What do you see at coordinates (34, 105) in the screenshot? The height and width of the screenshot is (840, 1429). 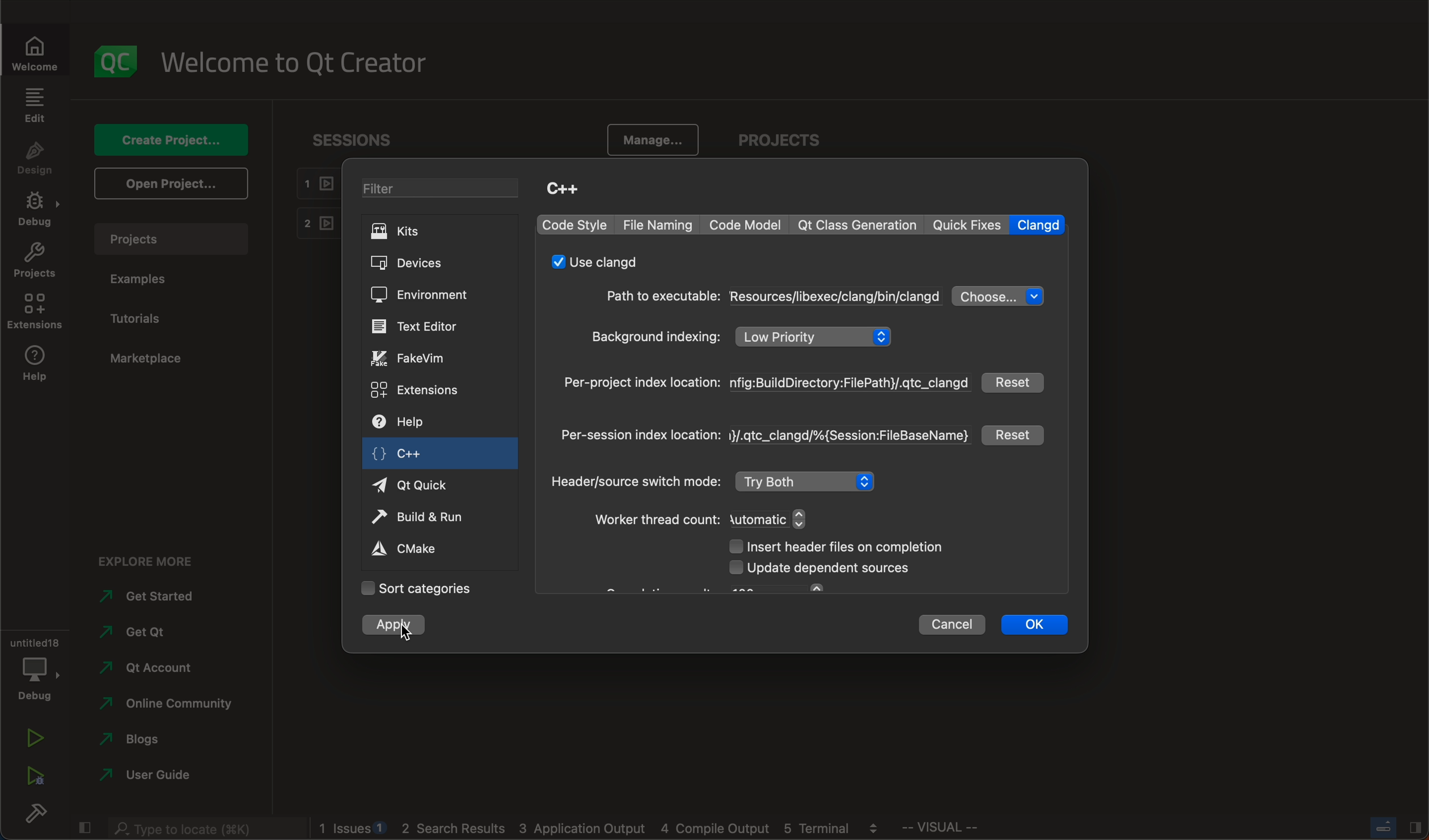 I see `edit` at bounding box center [34, 105].